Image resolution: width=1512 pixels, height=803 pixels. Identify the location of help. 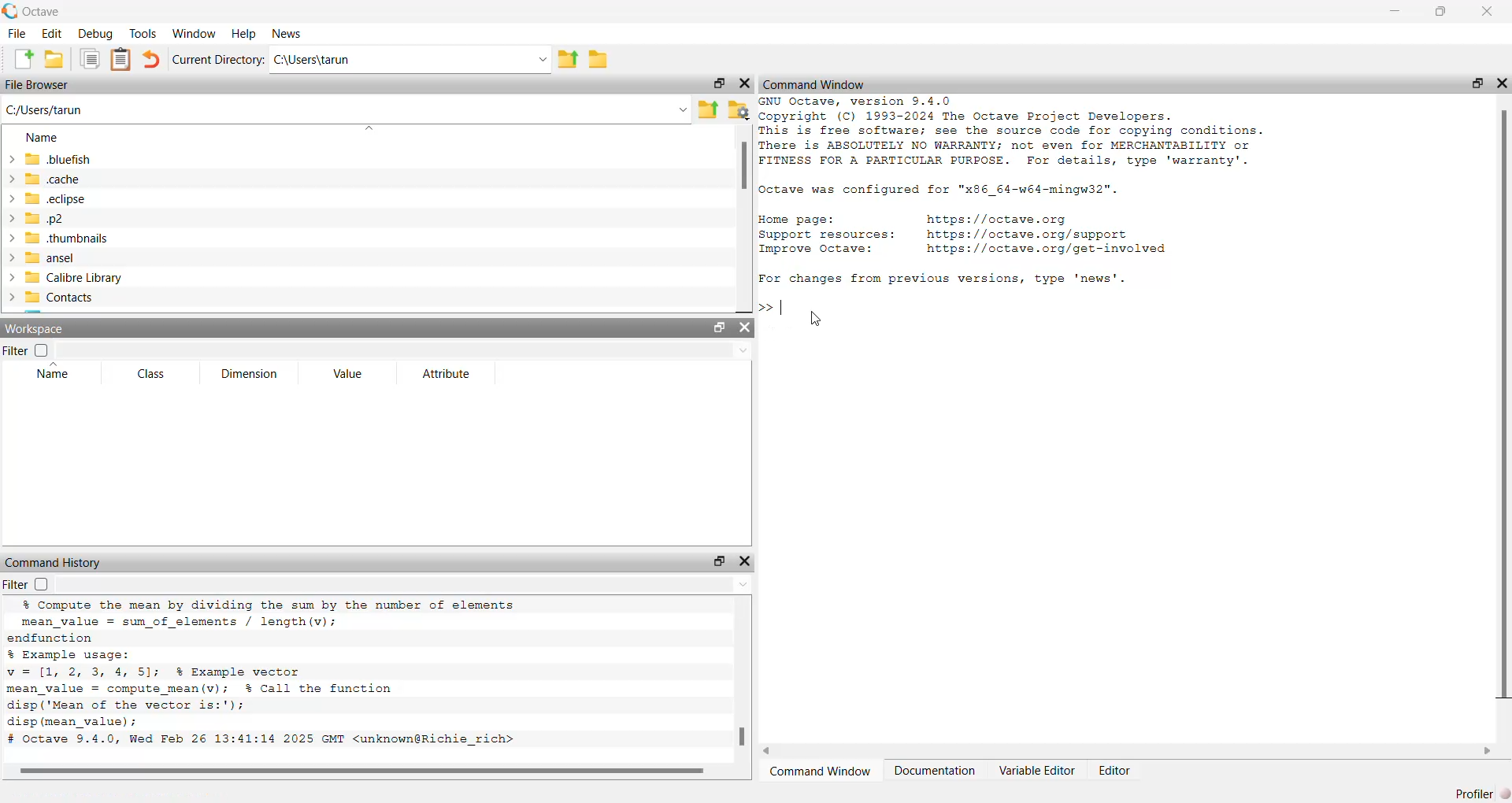
(244, 33).